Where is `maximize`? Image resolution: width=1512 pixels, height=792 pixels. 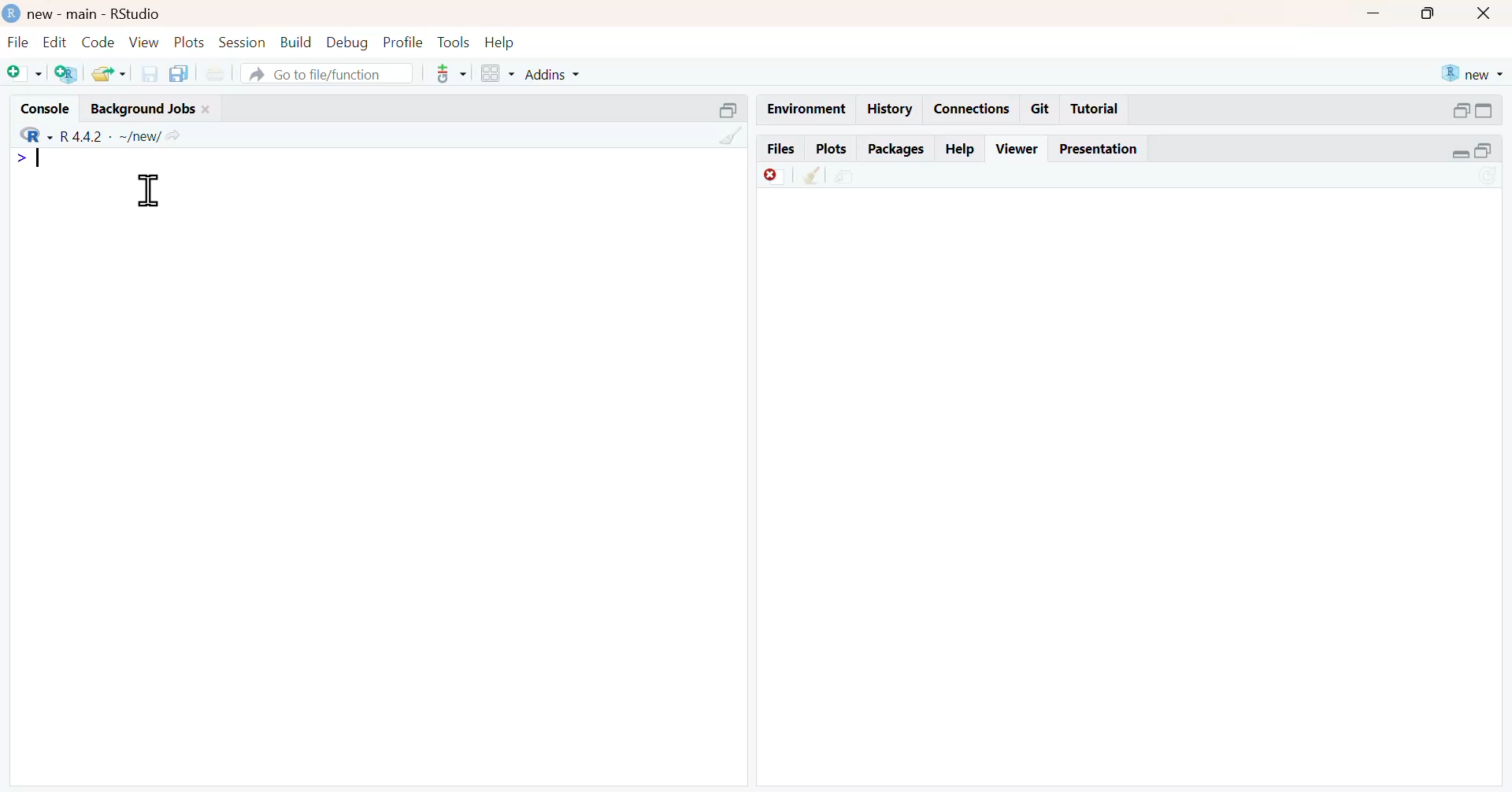
maximize is located at coordinates (1432, 12).